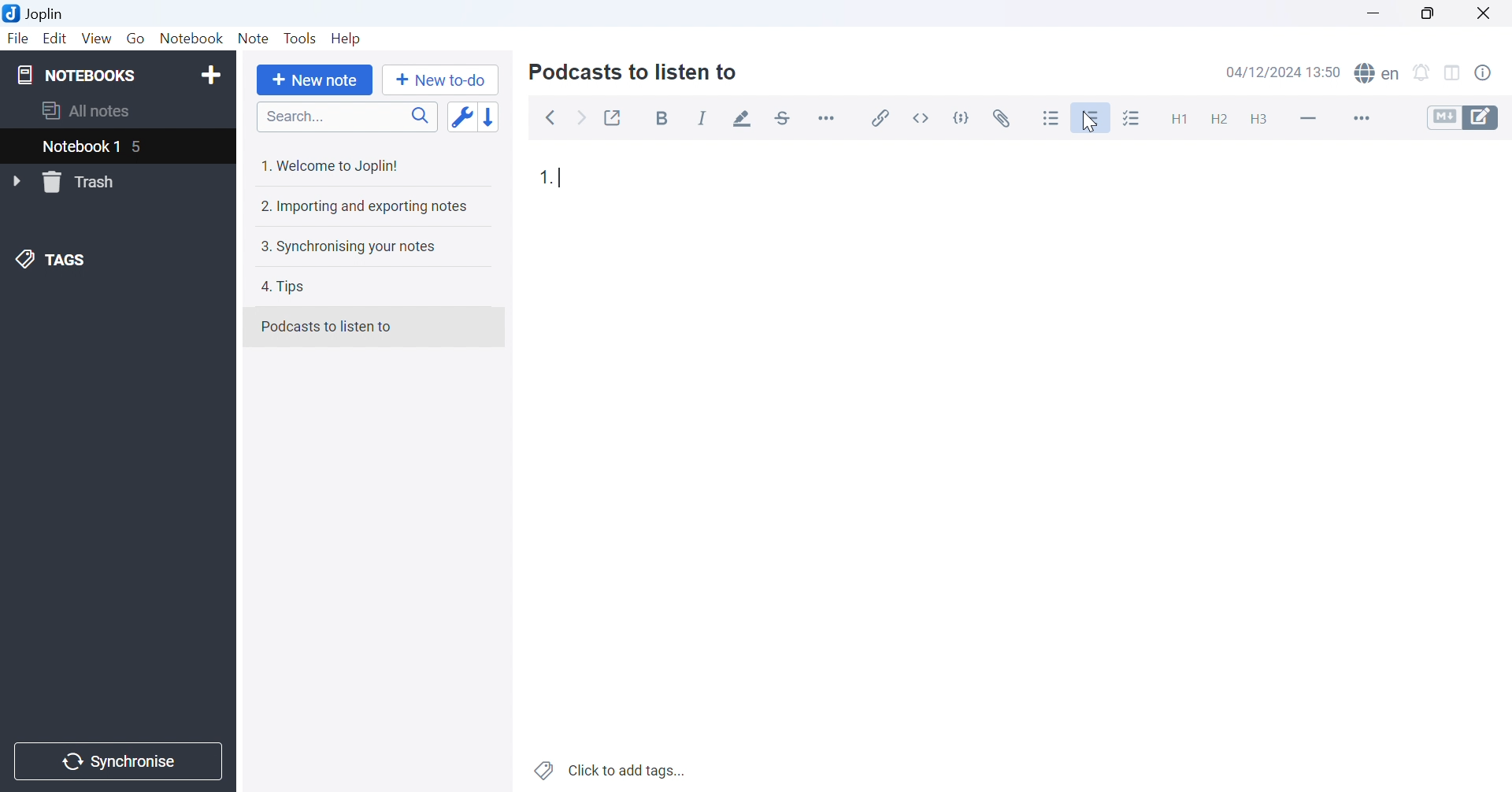 Image resolution: width=1512 pixels, height=792 pixels. Describe the element at coordinates (18, 182) in the screenshot. I see `Drop Down` at that location.